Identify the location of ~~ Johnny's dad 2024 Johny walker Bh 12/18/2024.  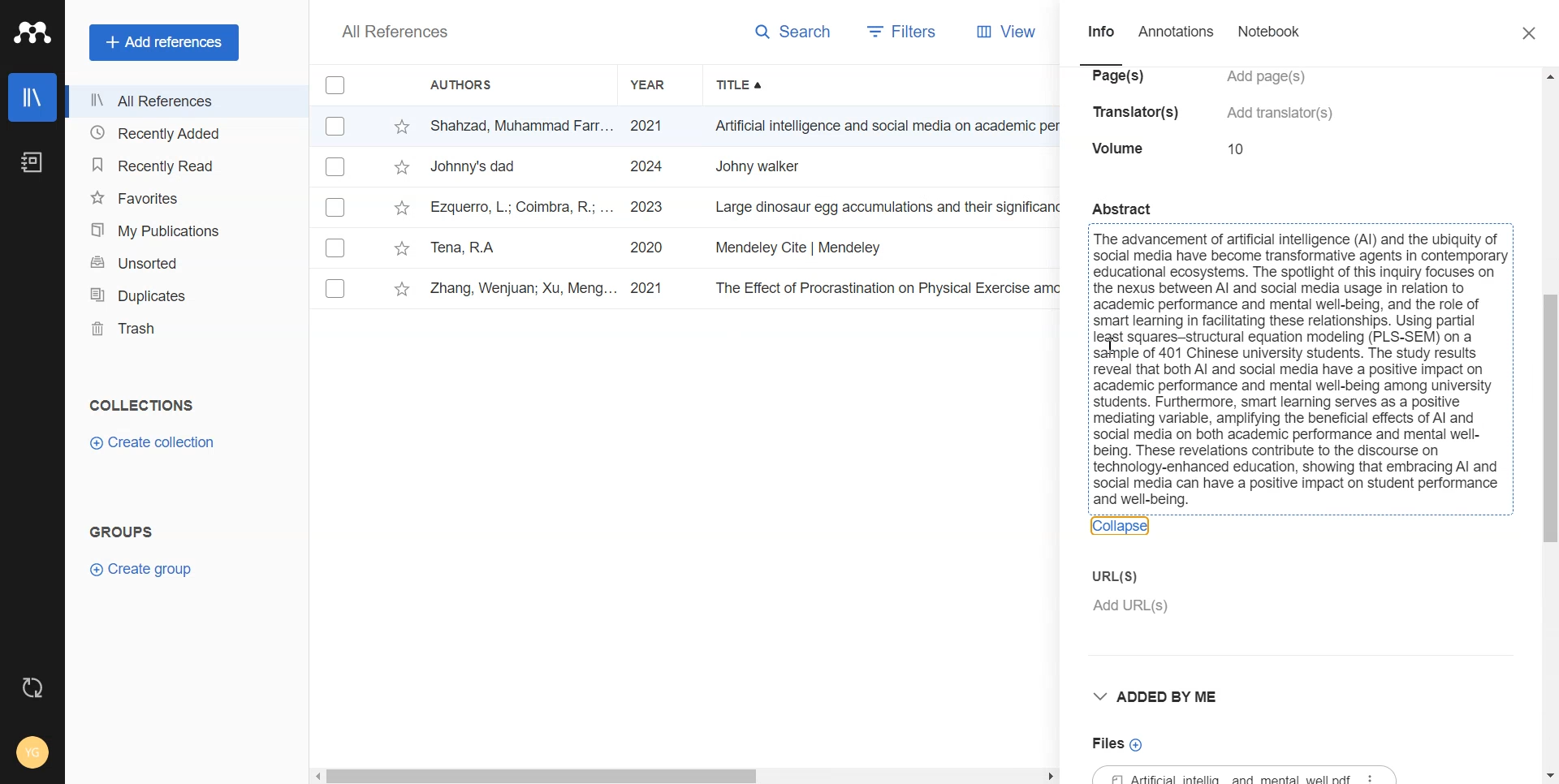
(745, 166).